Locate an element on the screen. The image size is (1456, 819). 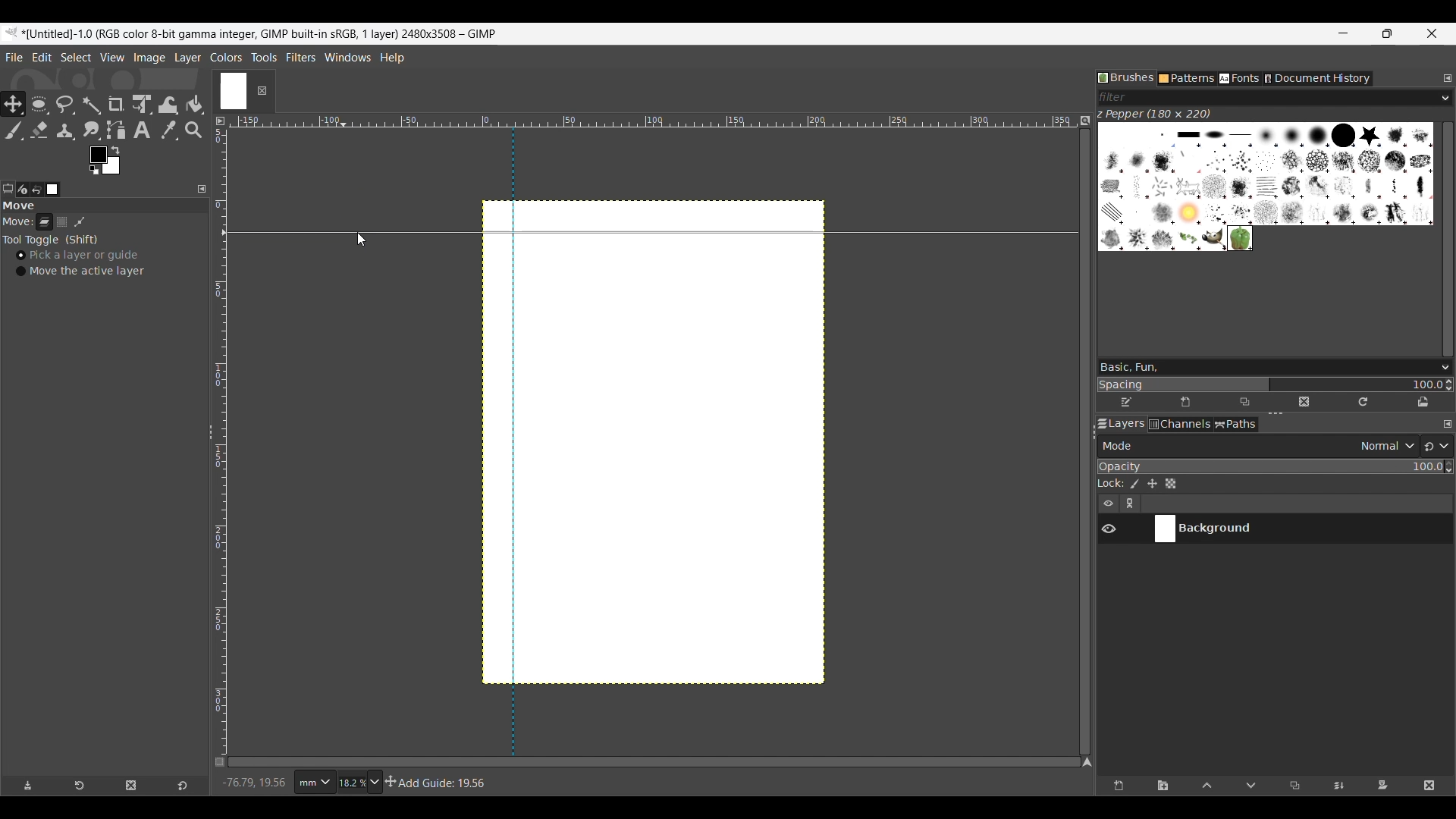
Move layer one step down is located at coordinates (1251, 786).